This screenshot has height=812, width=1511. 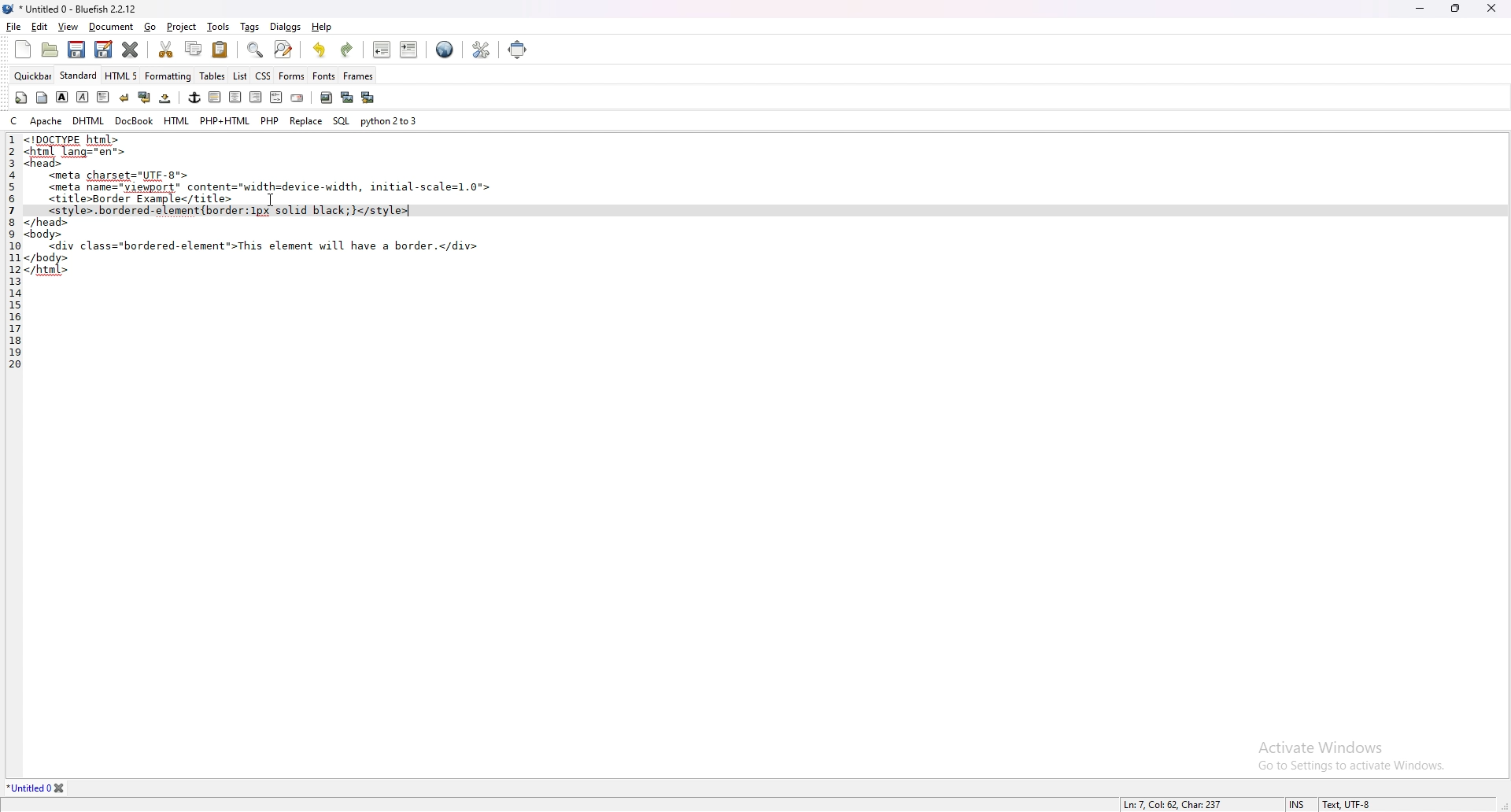 What do you see at coordinates (178, 121) in the screenshot?
I see `html` at bounding box center [178, 121].